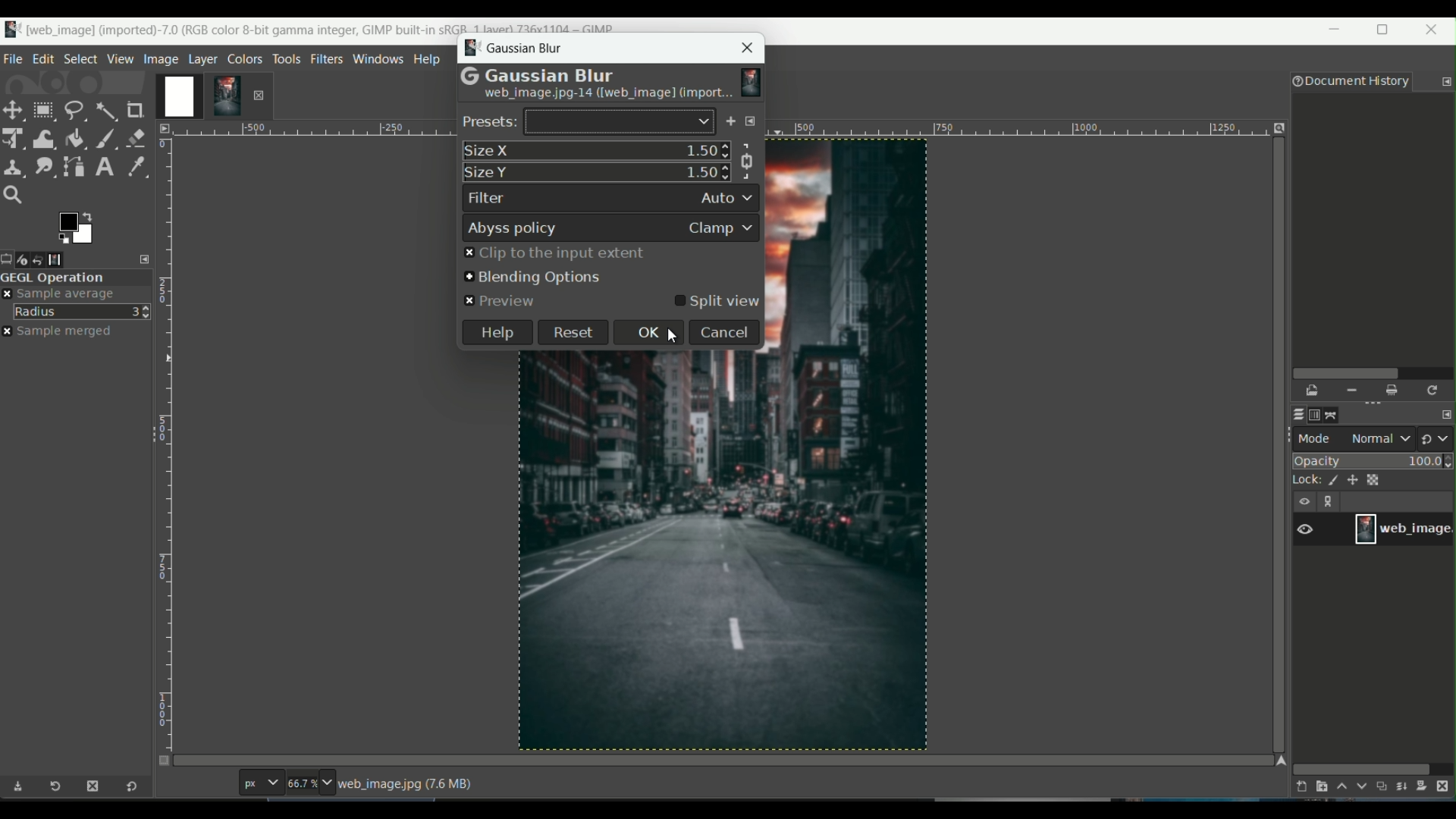 The width and height of the screenshot is (1456, 819). I want to click on open the selected entry, so click(1313, 391).